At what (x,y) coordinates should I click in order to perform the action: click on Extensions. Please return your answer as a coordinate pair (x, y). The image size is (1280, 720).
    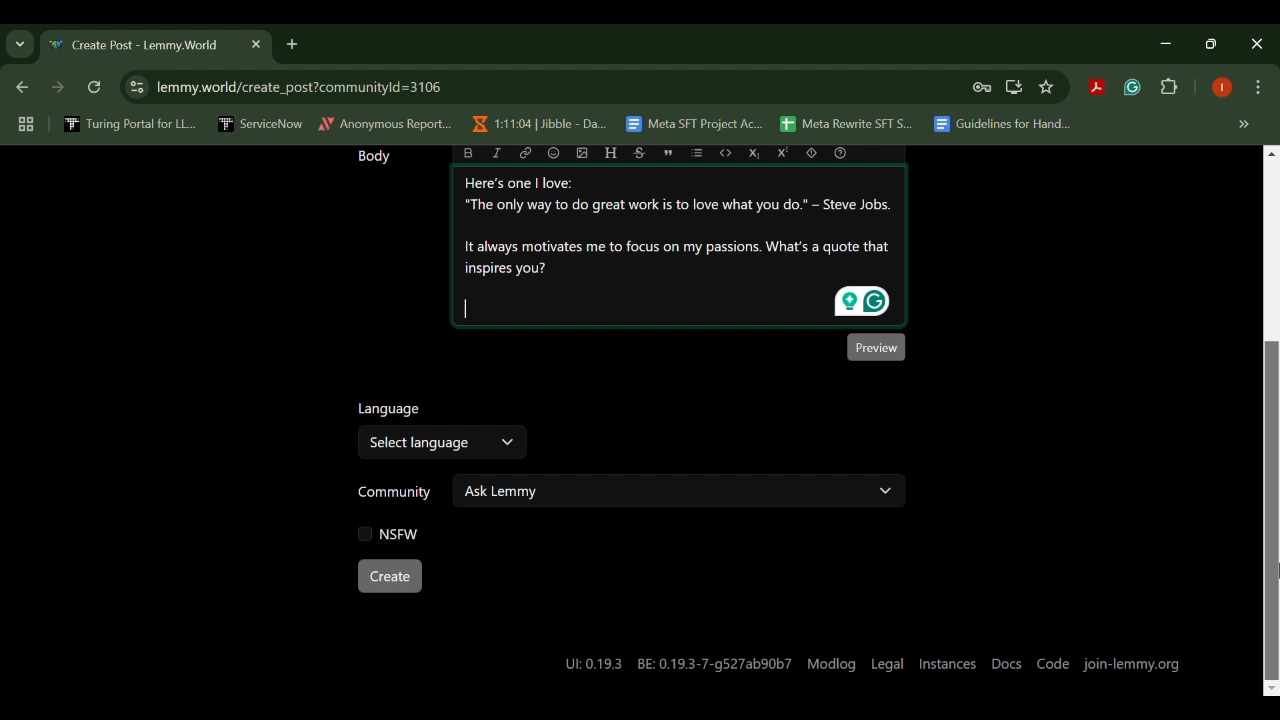
    Looking at the image, I should click on (1170, 88).